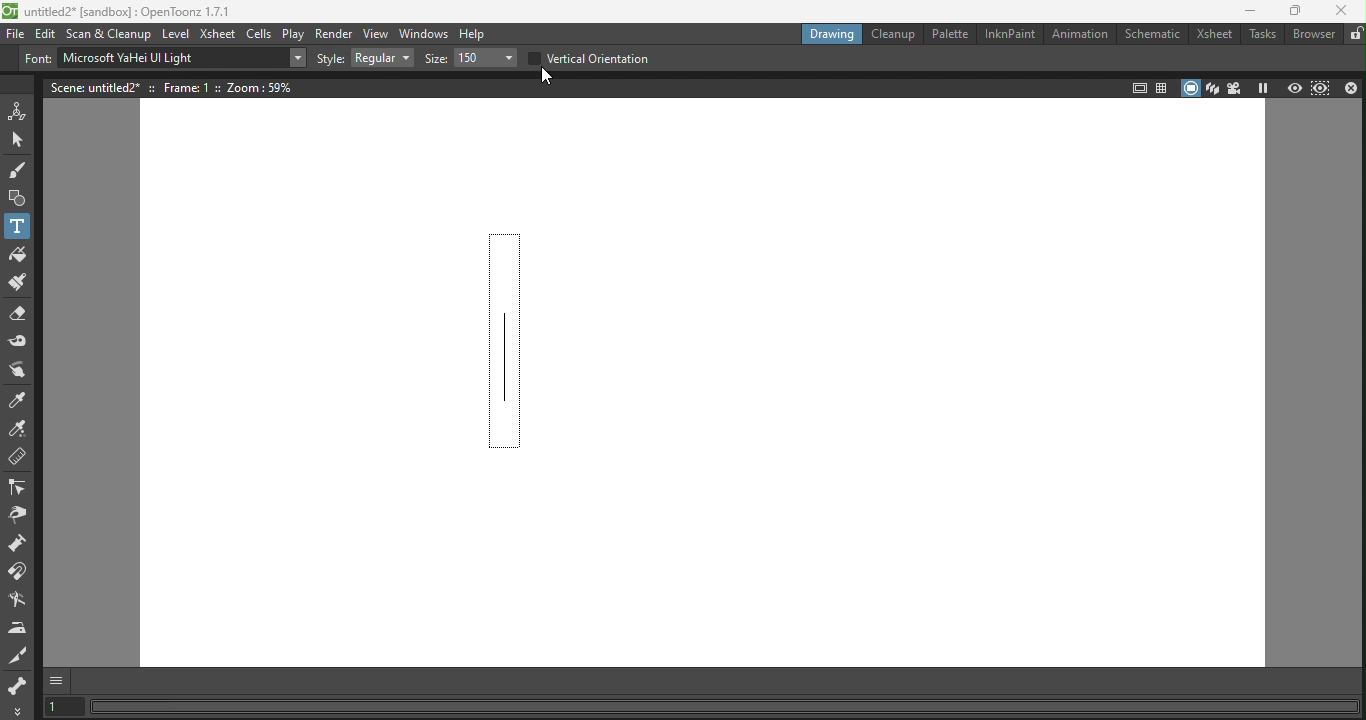  Describe the element at coordinates (707, 383) in the screenshot. I see `Canvas` at that location.